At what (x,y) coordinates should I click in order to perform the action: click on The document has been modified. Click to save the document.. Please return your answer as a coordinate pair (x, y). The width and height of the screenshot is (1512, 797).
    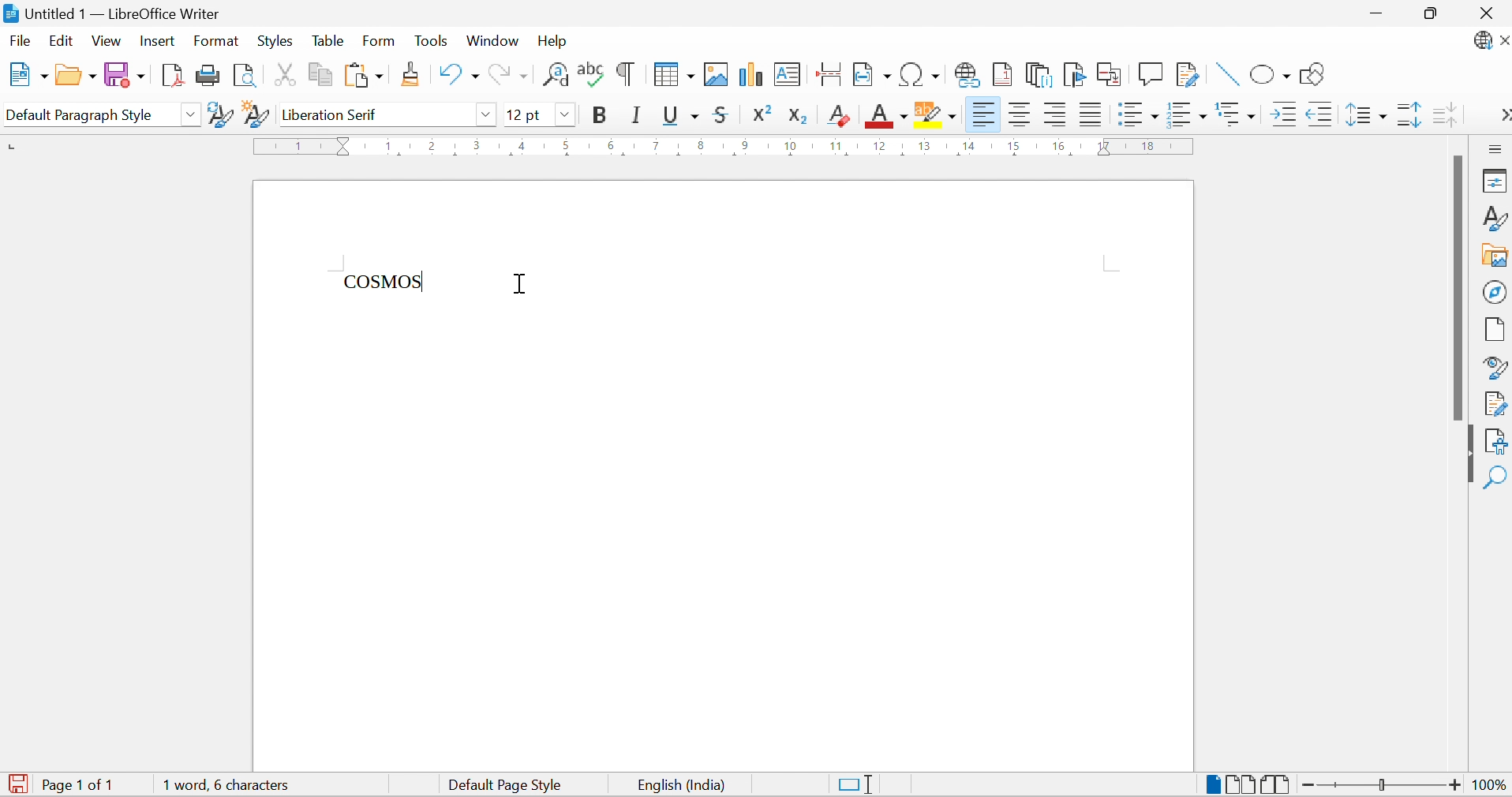
    Looking at the image, I should click on (17, 784).